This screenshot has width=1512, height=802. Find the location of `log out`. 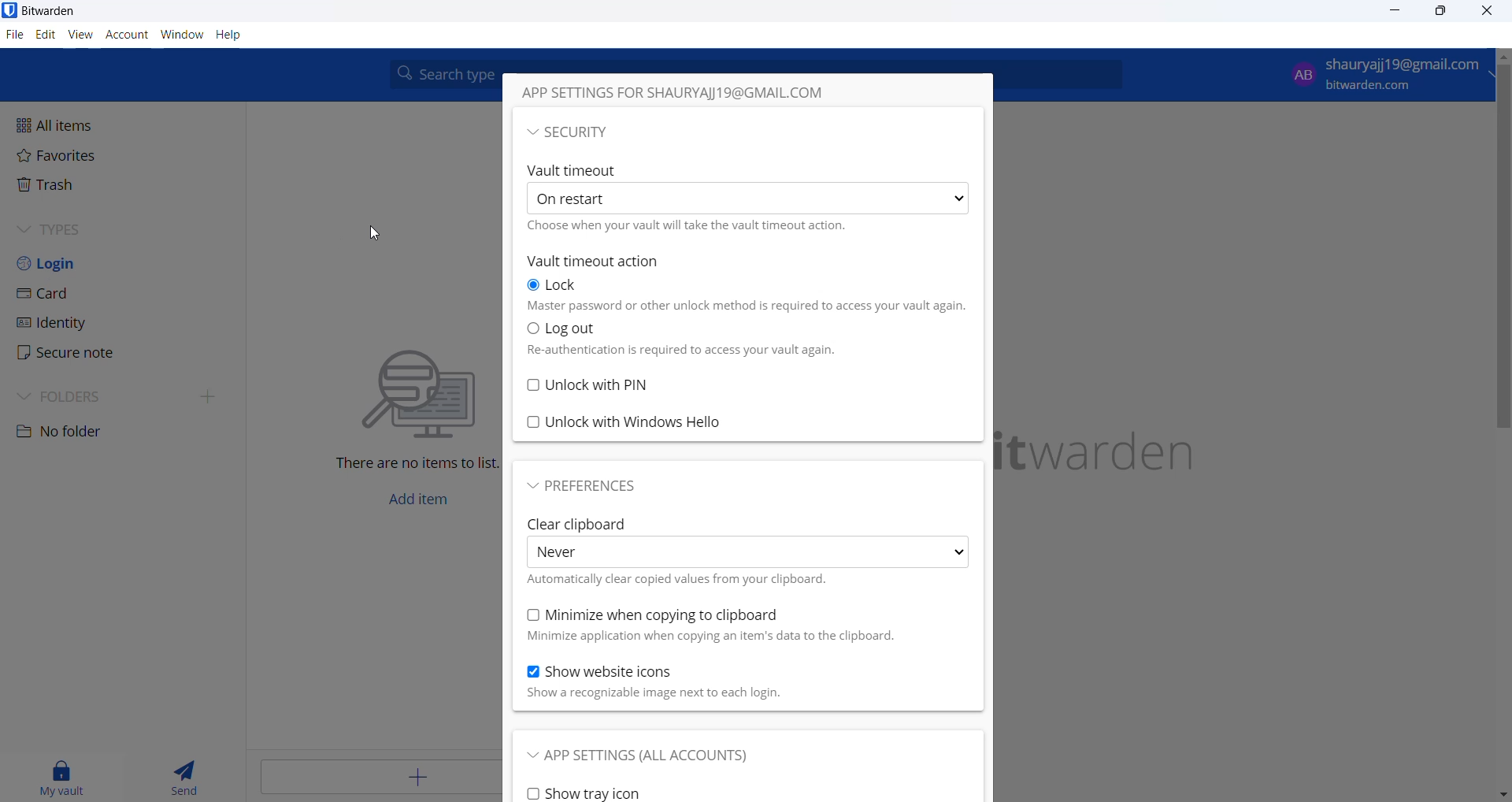

log out is located at coordinates (573, 329).